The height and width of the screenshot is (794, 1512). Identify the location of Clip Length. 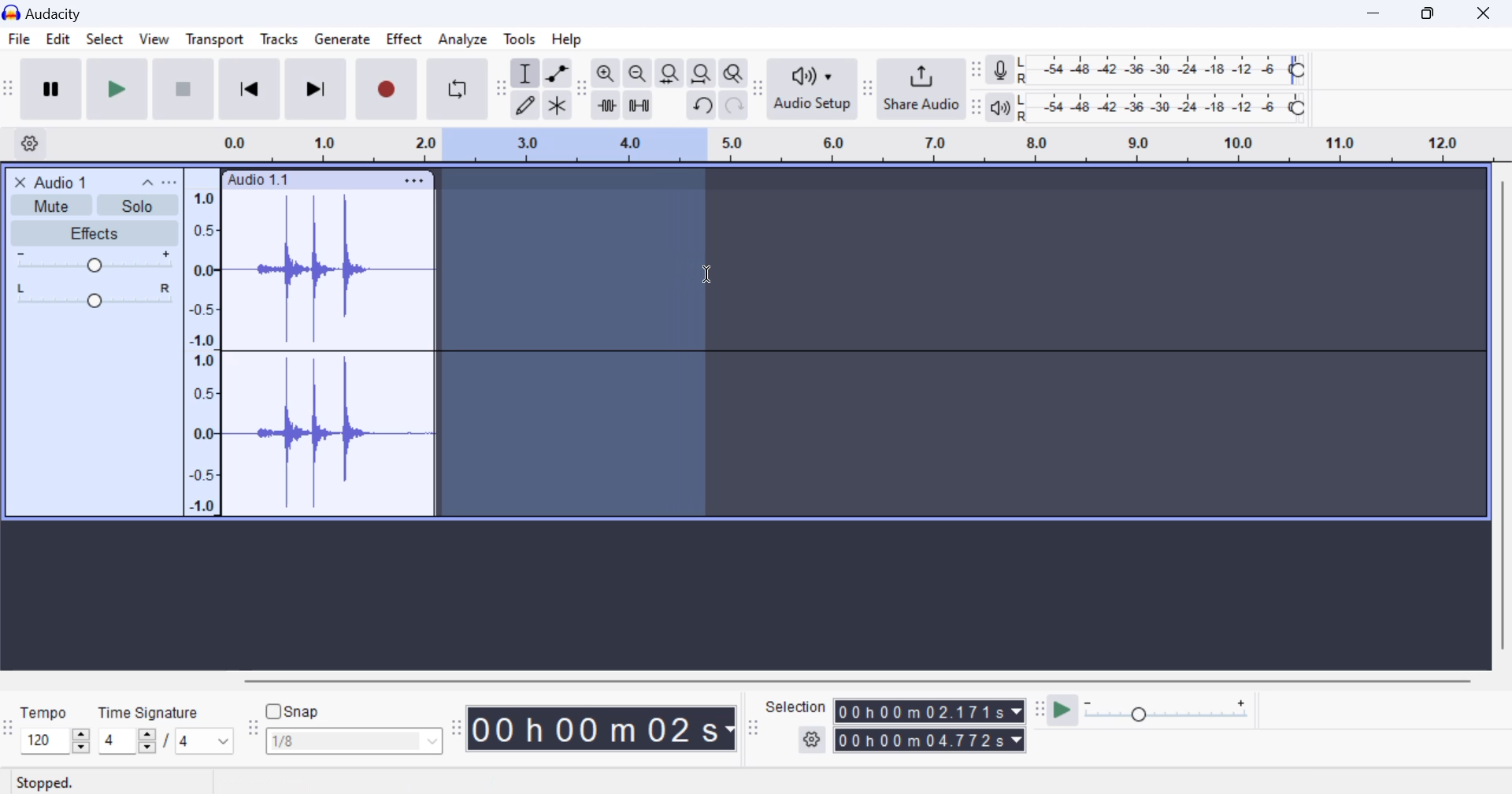
(605, 728).